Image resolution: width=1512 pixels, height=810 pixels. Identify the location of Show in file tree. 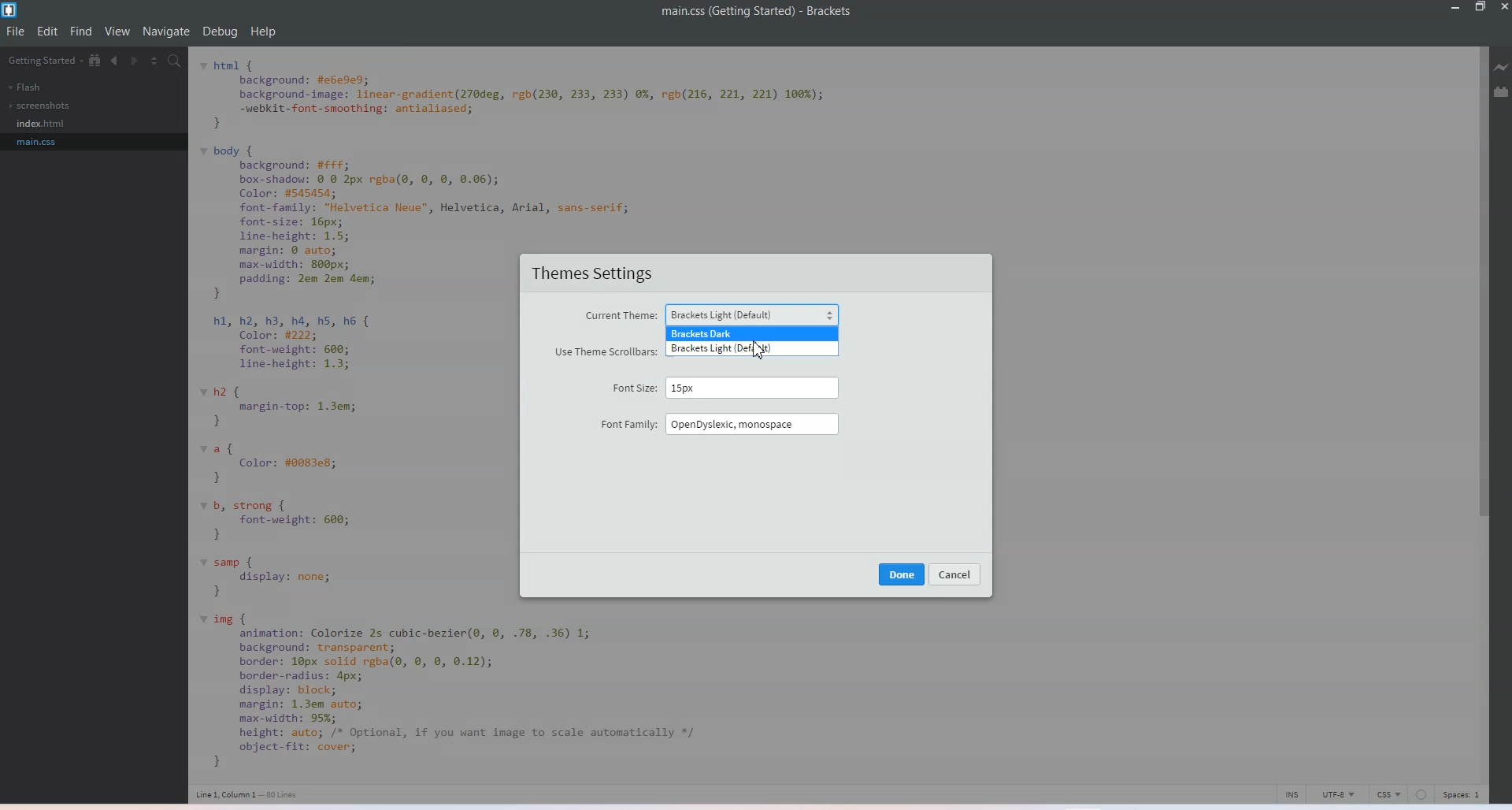
(96, 60).